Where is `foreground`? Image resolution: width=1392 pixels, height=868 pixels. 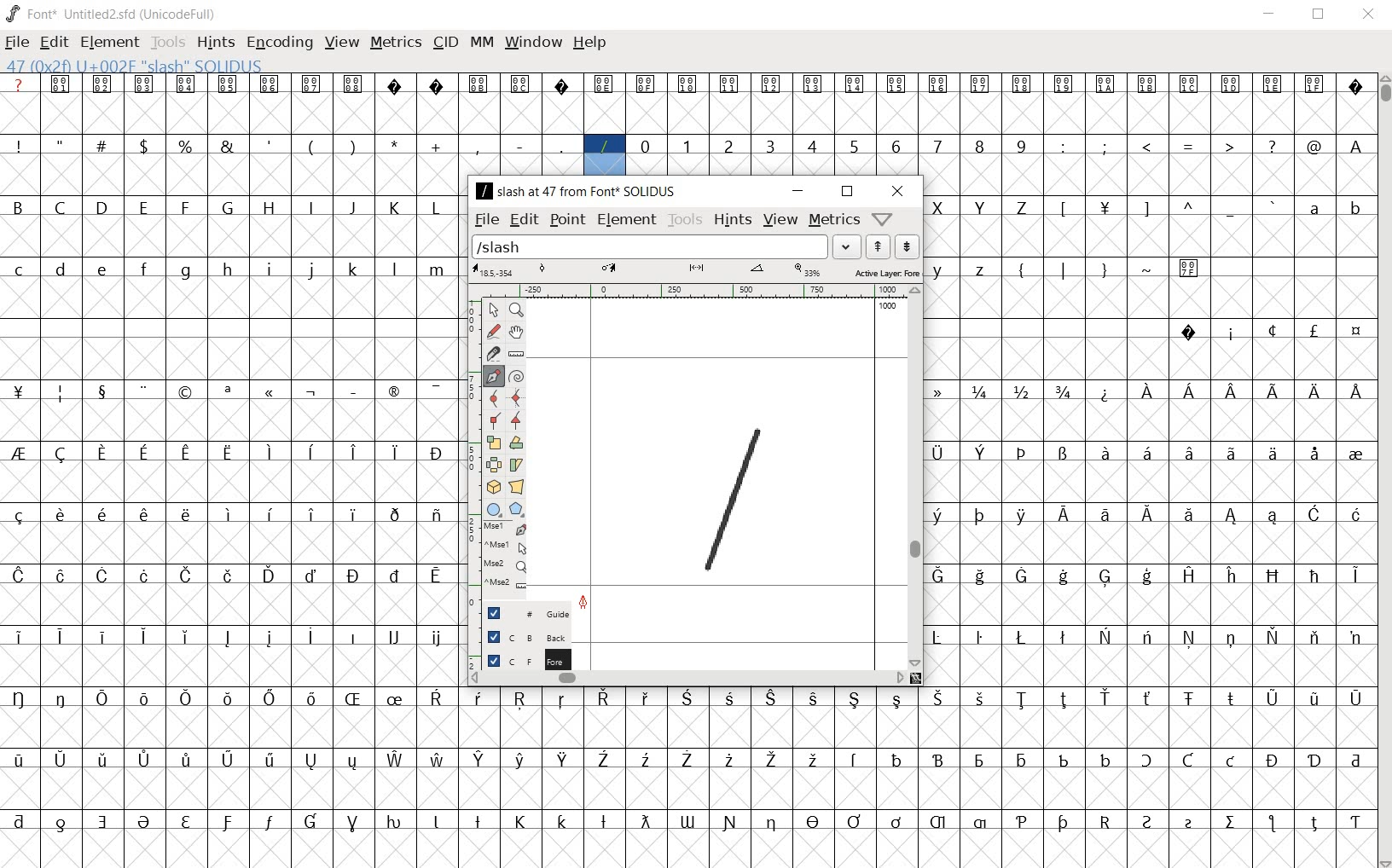
foreground is located at coordinates (520, 658).